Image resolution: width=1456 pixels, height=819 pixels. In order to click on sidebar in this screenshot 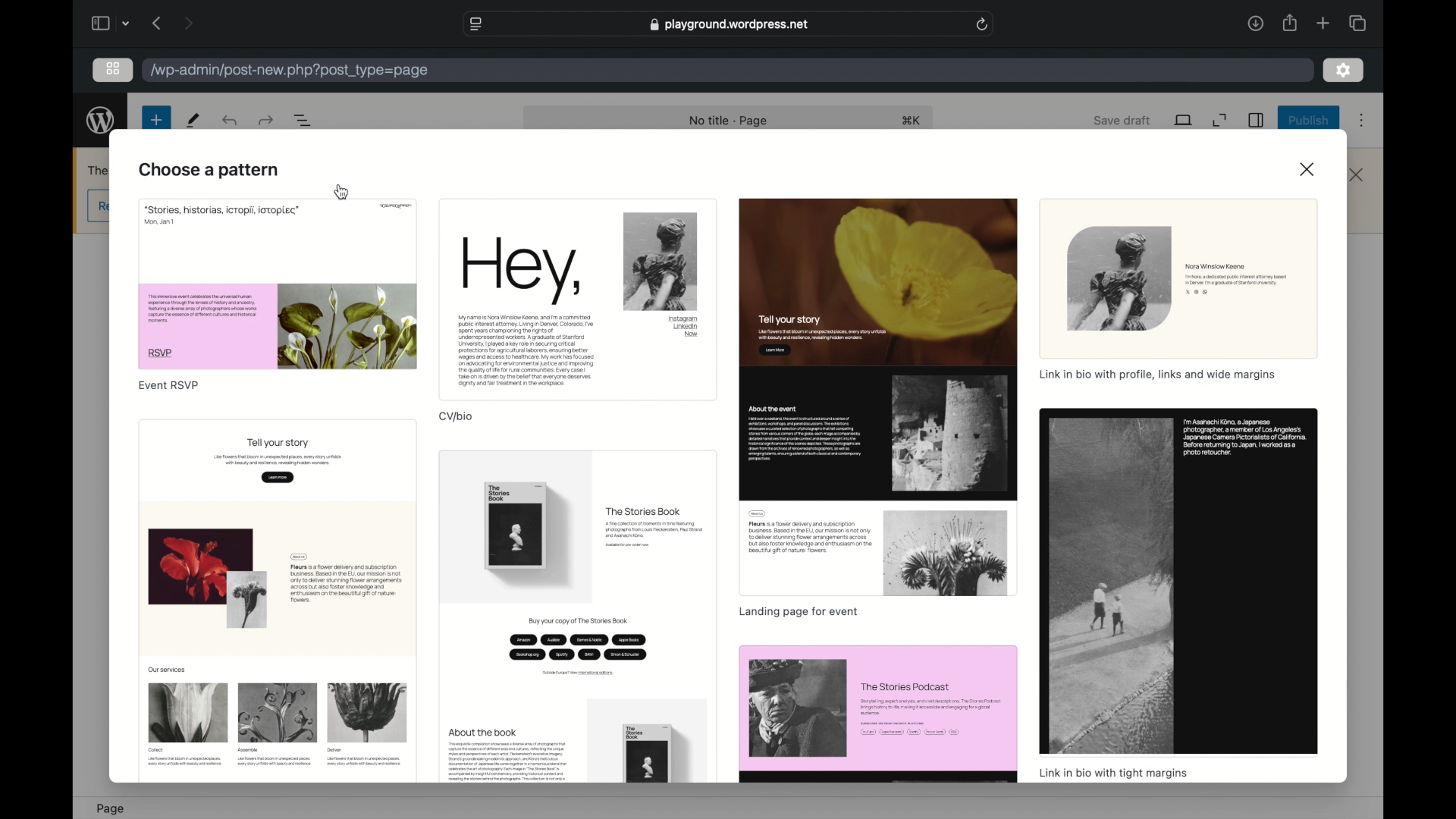, I will do `click(99, 23)`.